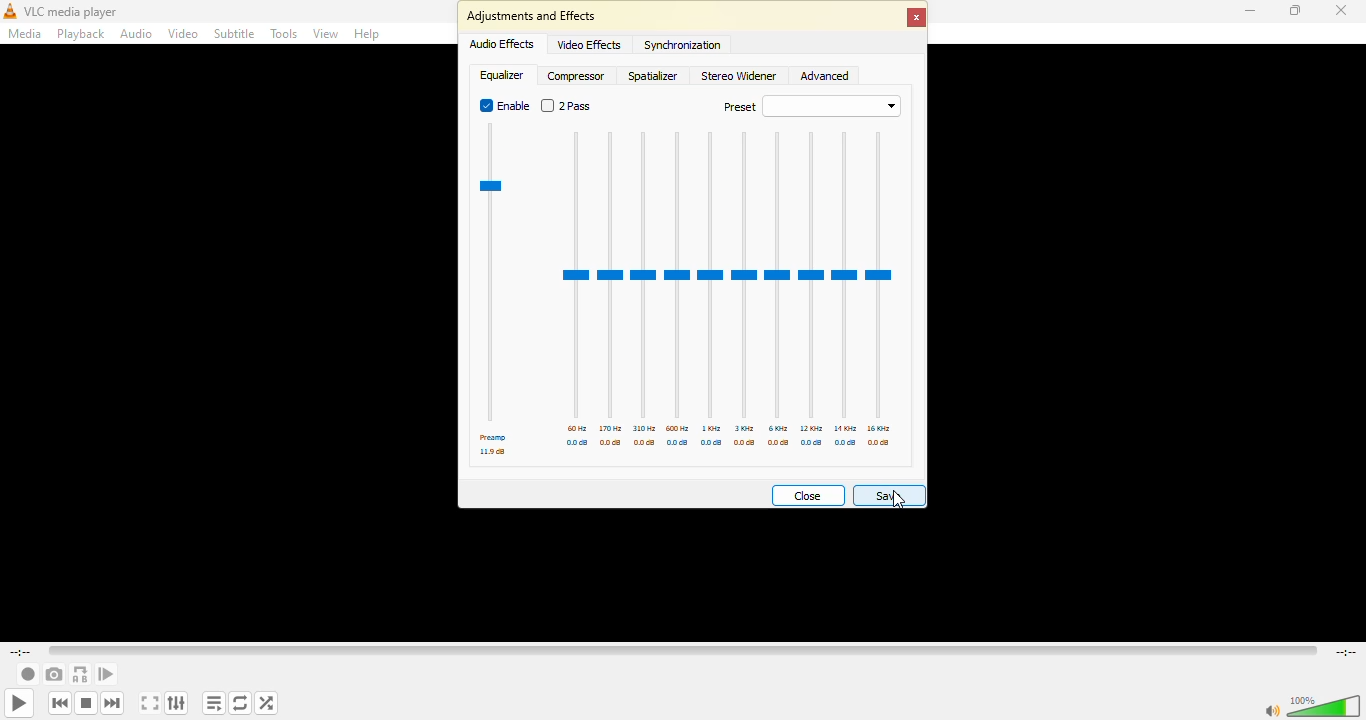 Image resolution: width=1366 pixels, height=720 pixels. What do you see at coordinates (655, 79) in the screenshot?
I see `spatializer` at bounding box center [655, 79].